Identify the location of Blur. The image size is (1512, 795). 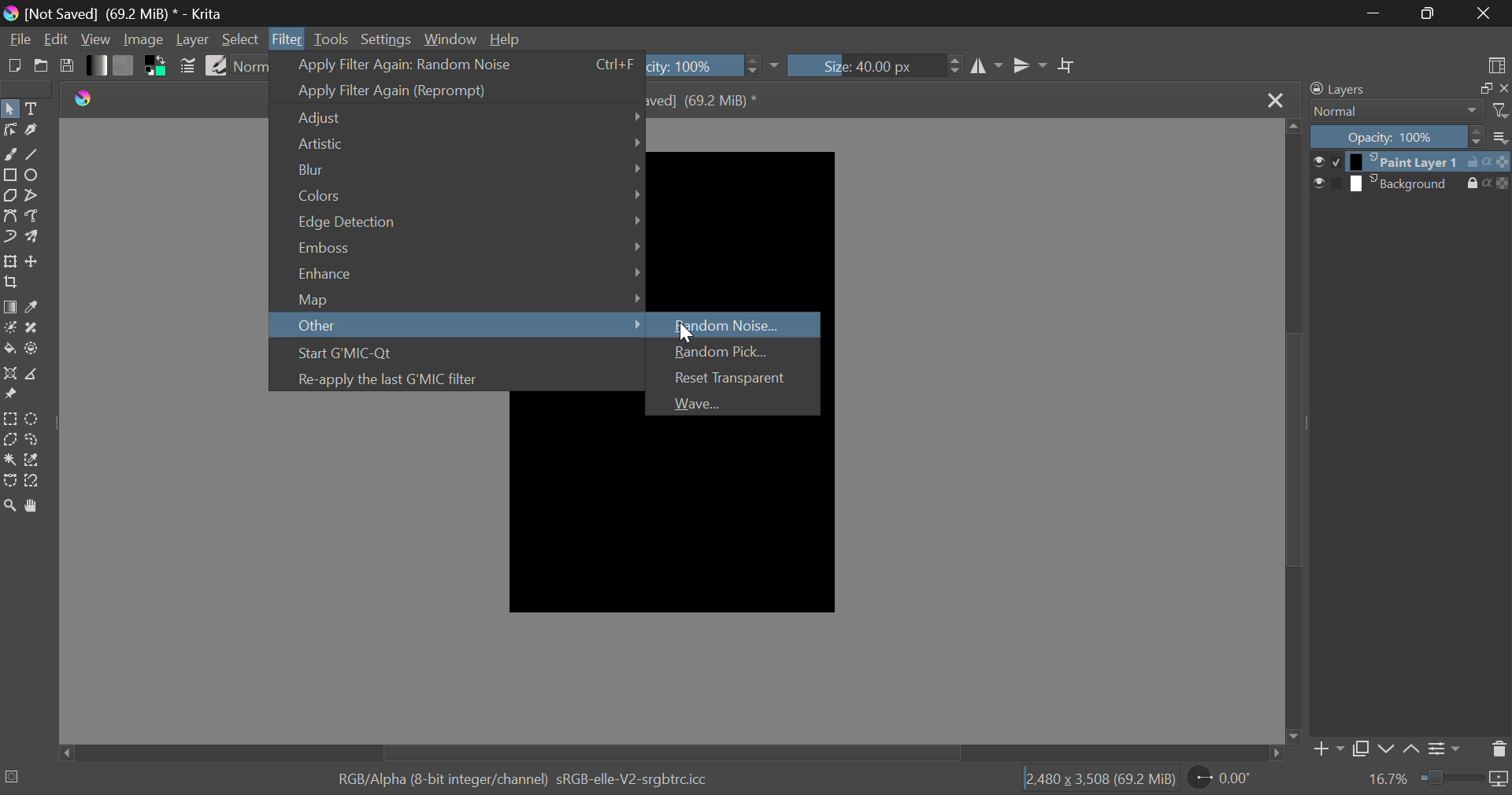
(460, 166).